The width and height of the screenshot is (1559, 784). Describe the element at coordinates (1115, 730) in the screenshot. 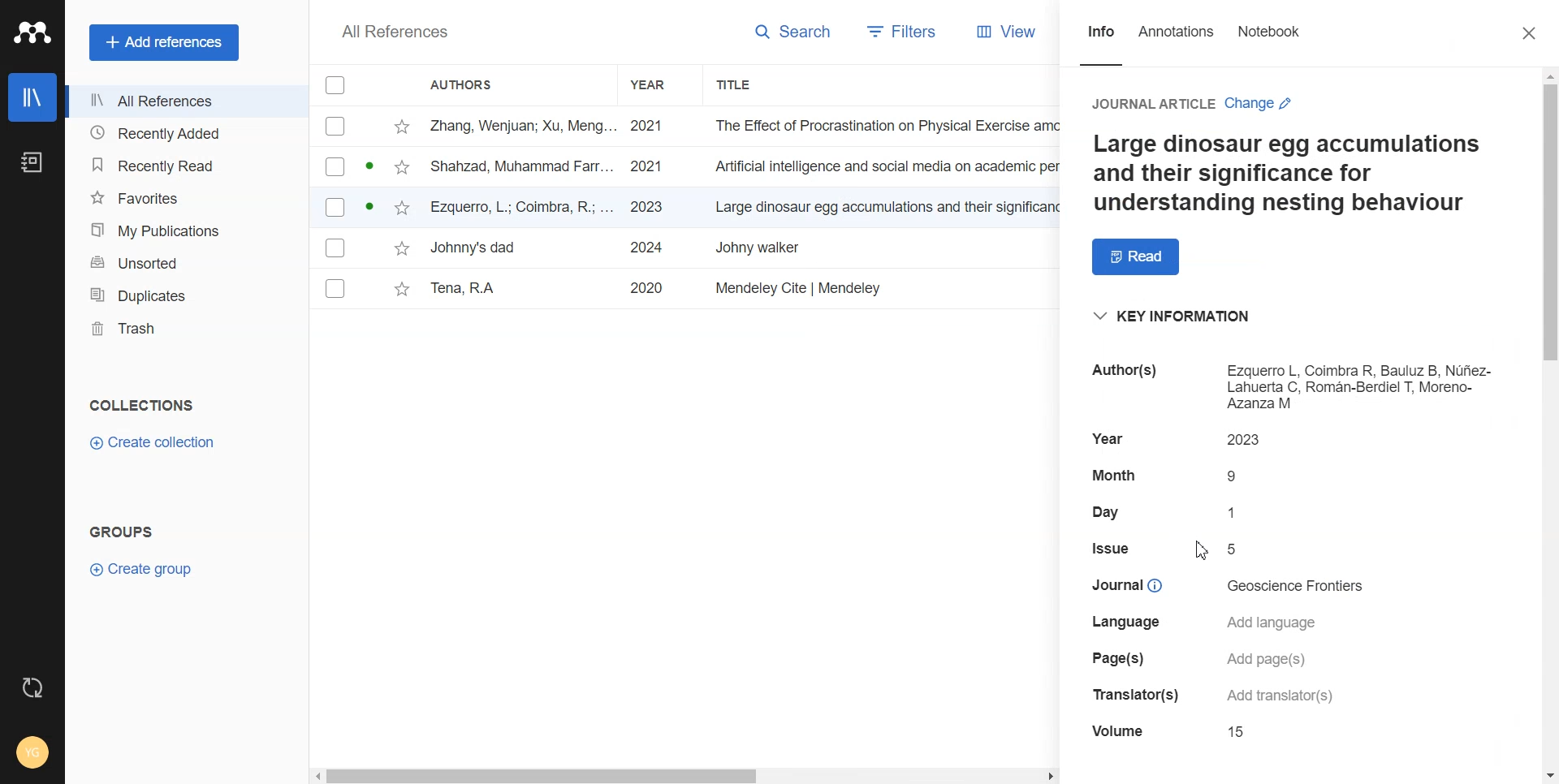

I see `details` at that location.